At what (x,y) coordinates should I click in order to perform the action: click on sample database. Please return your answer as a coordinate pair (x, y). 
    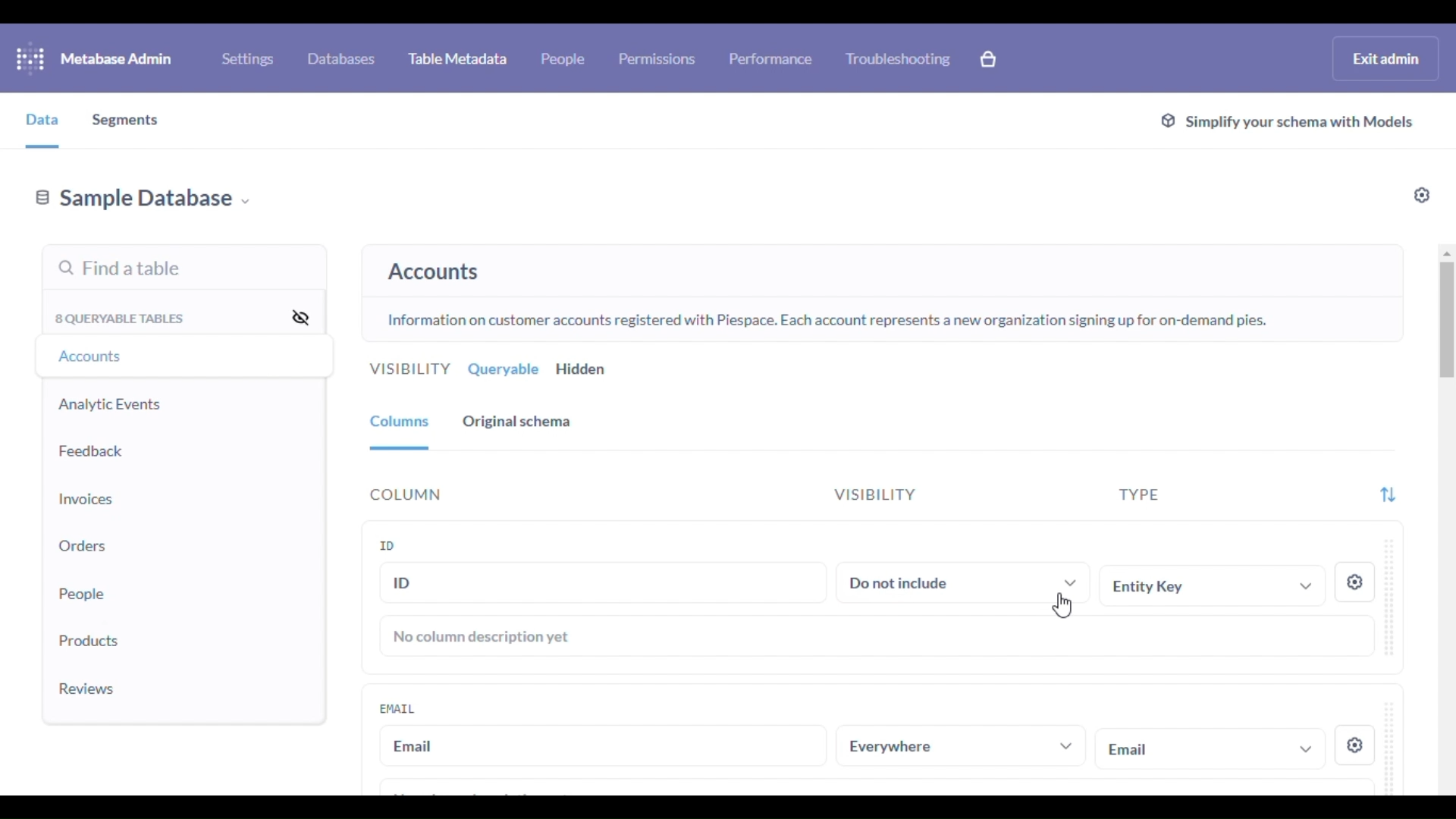
    Looking at the image, I should click on (143, 200).